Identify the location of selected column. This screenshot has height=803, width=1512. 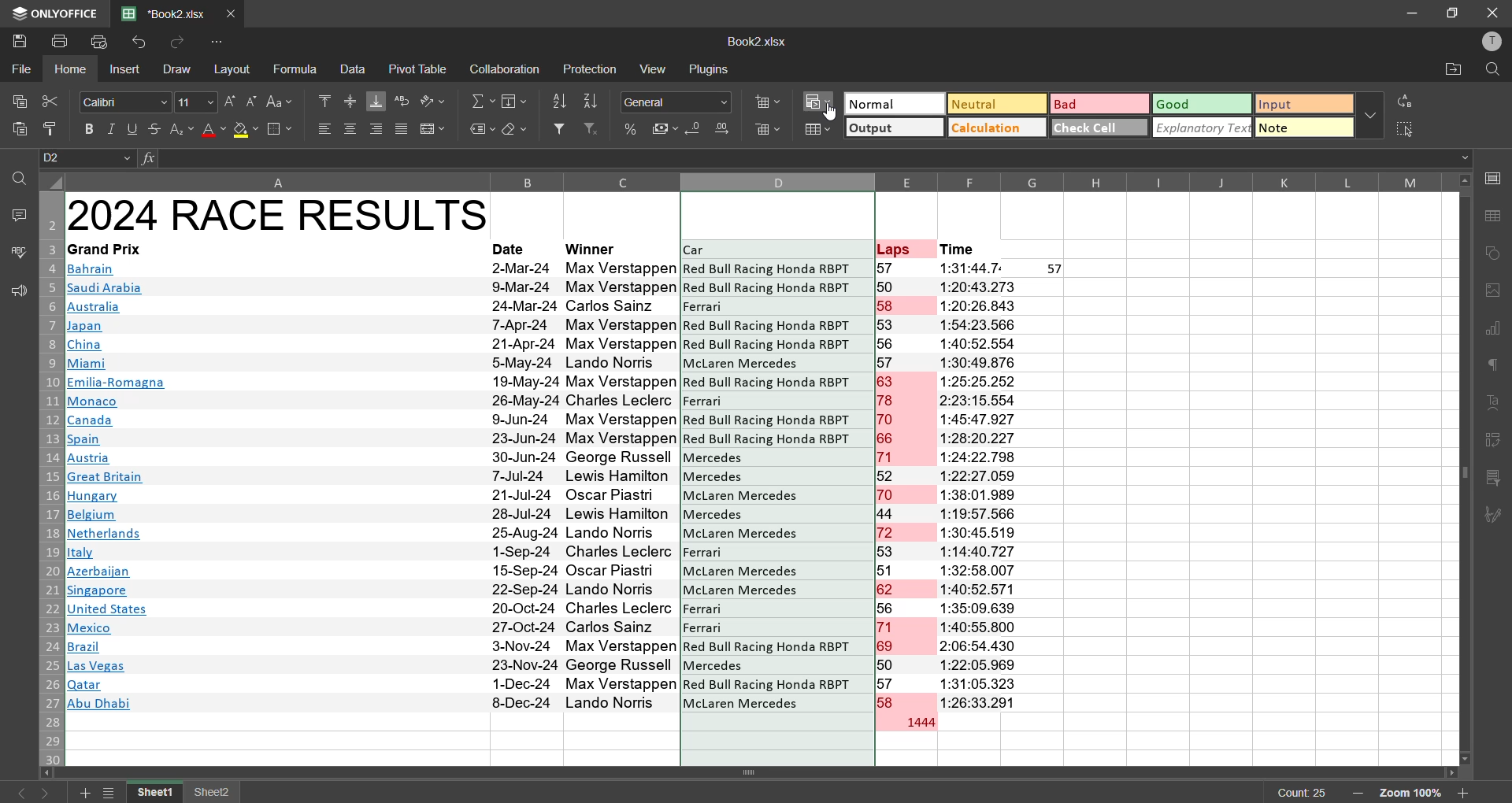
(774, 468).